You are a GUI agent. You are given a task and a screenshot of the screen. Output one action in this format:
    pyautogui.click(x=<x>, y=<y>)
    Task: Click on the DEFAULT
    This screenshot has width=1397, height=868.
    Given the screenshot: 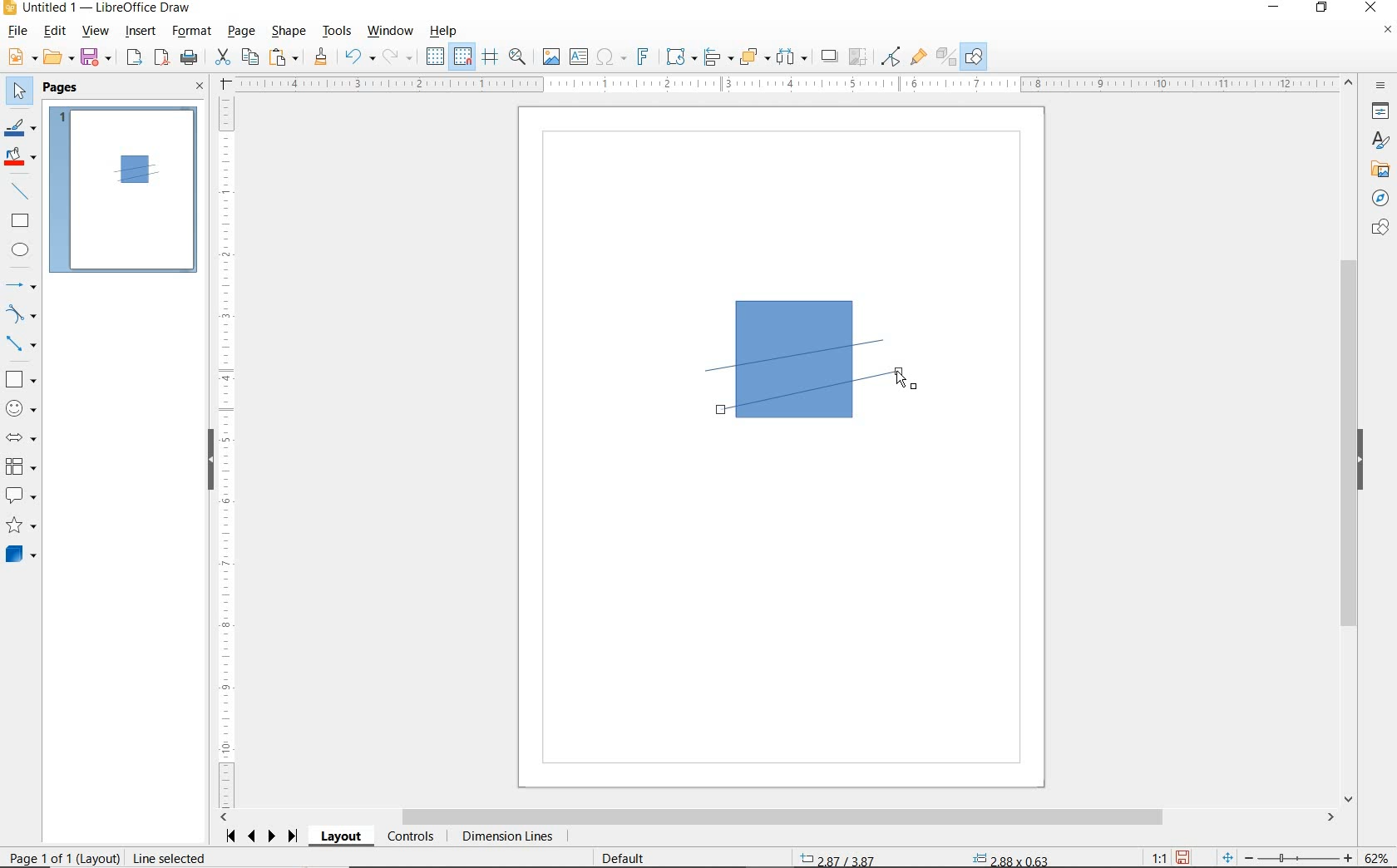 What is the action you would take?
    pyautogui.click(x=629, y=859)
    